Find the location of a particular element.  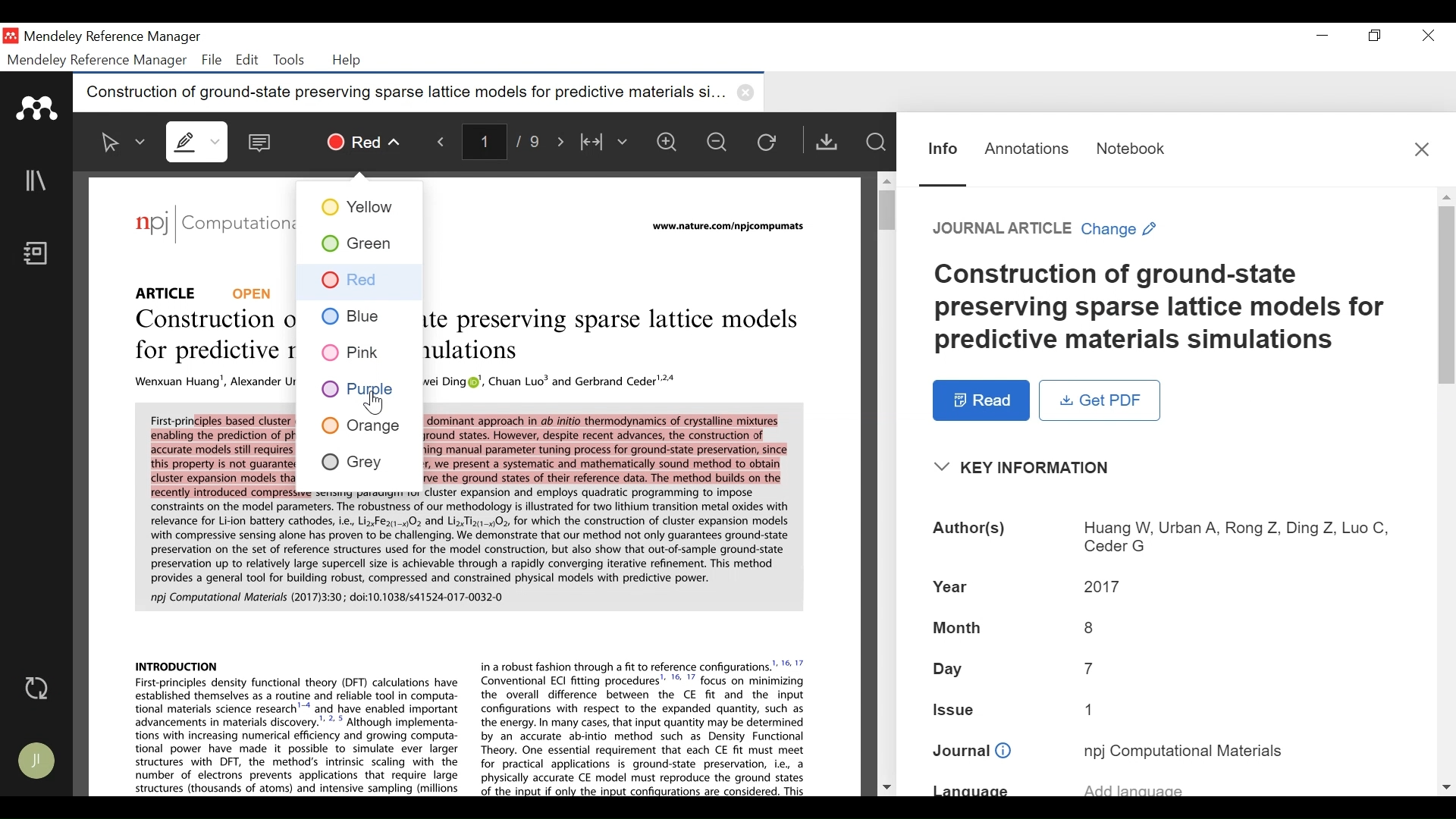

Mendeley Desktop Icon is located at coordinates (11, 35).